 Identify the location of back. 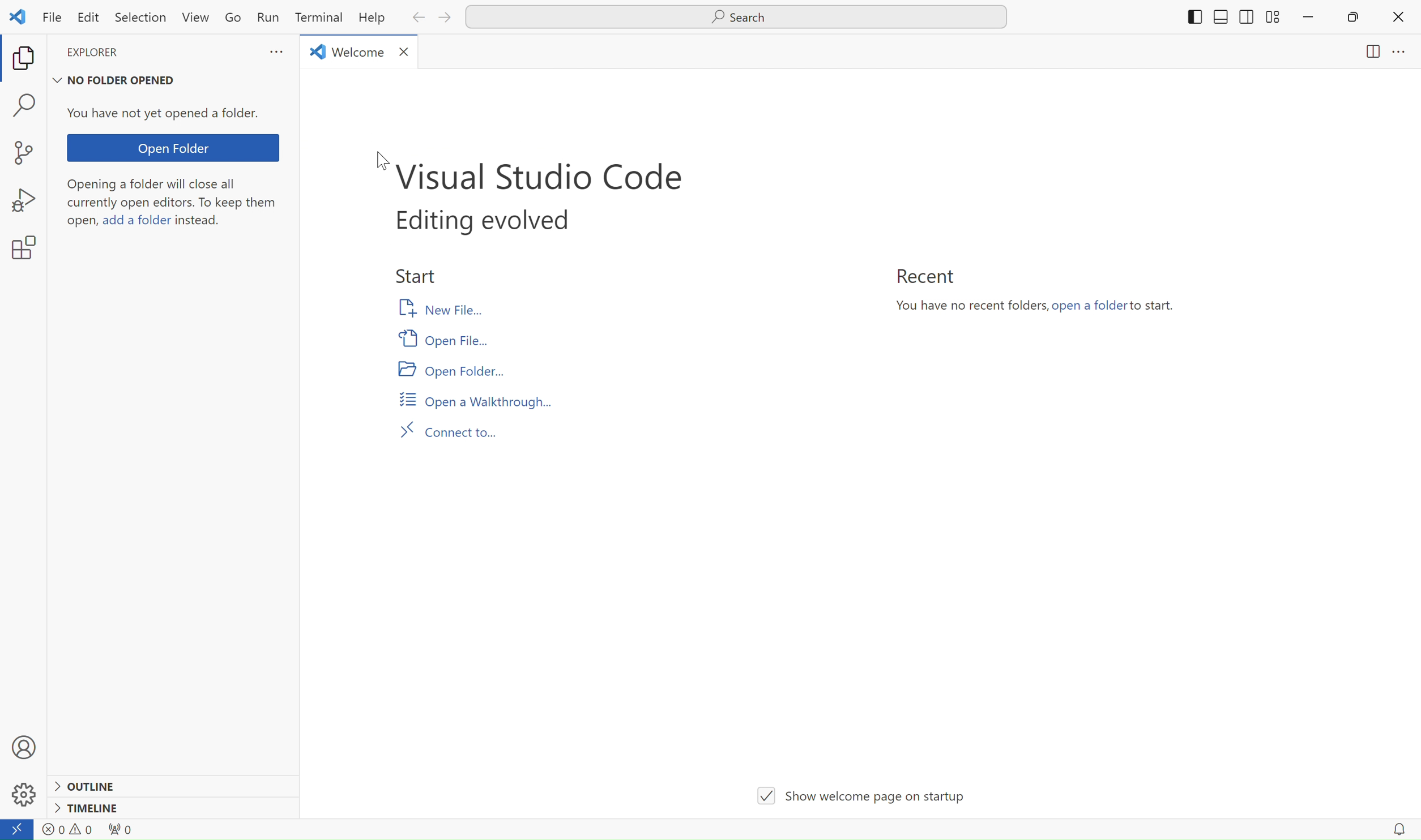
(415, 18).